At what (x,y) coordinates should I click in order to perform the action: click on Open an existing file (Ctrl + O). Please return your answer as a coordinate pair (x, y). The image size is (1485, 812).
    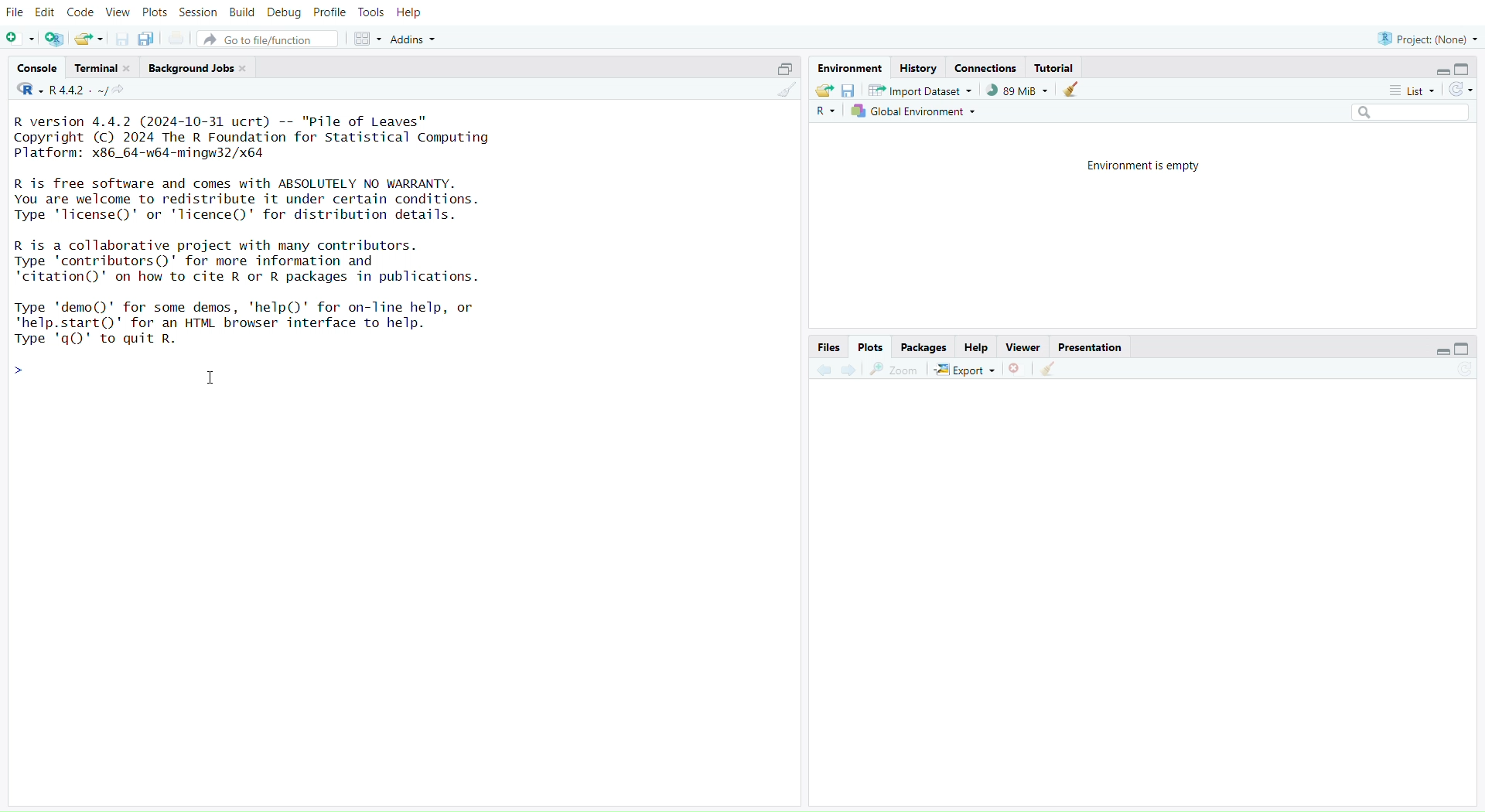
    Looking at the image, I should click on (88, 39).